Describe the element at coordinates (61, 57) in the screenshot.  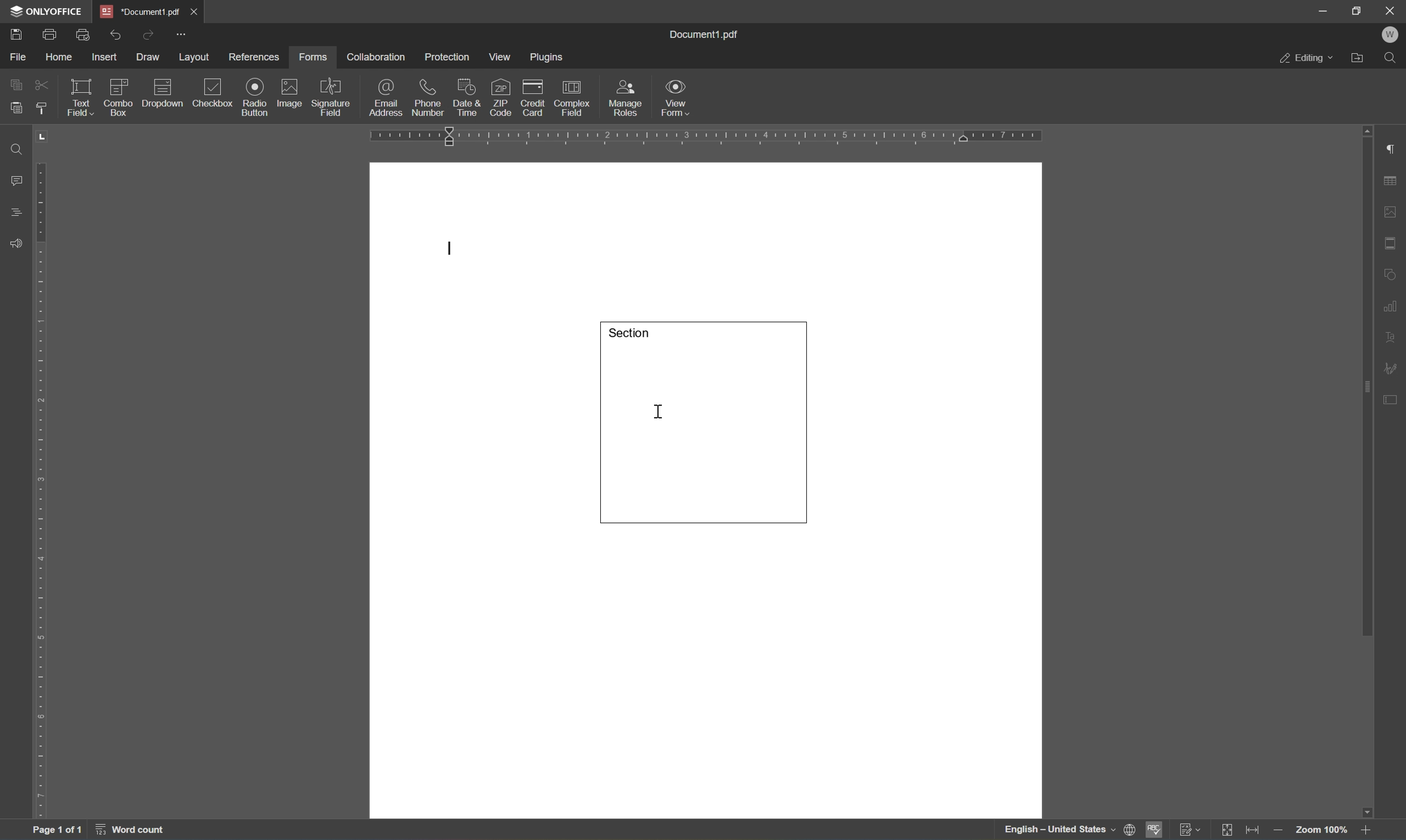
I see `home` at that location.